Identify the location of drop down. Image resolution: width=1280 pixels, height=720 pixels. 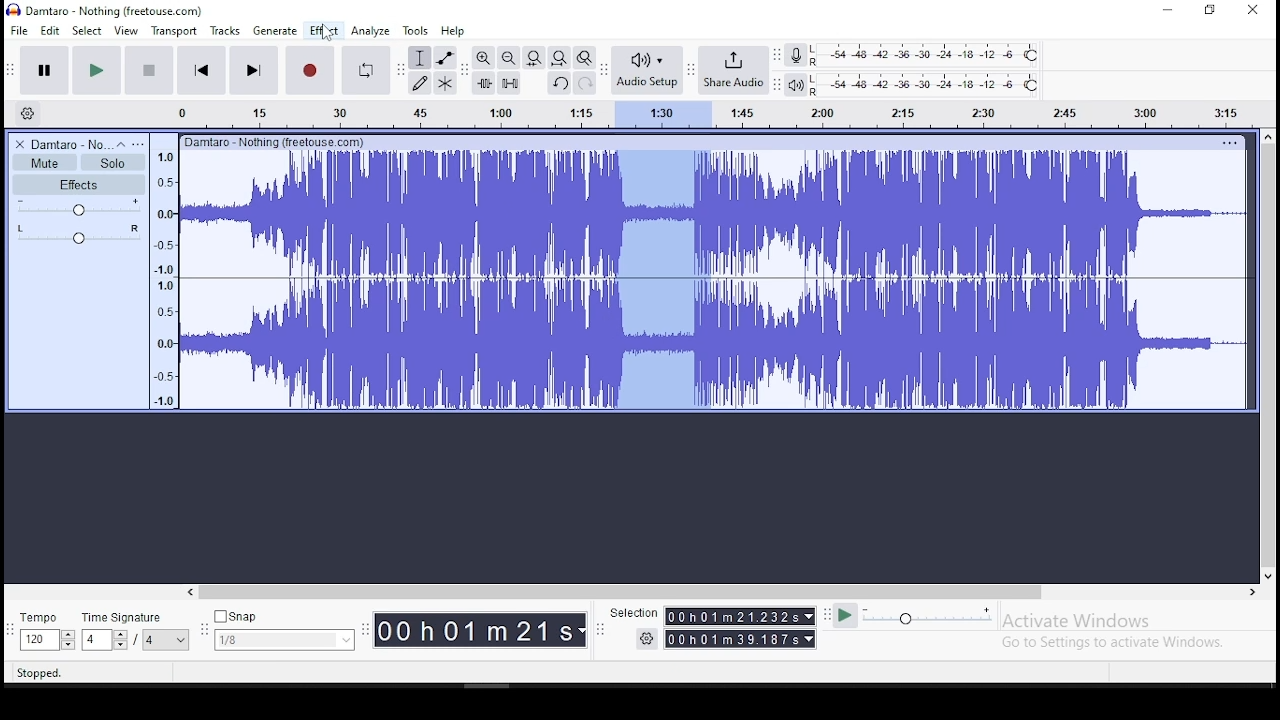
(119, 640).